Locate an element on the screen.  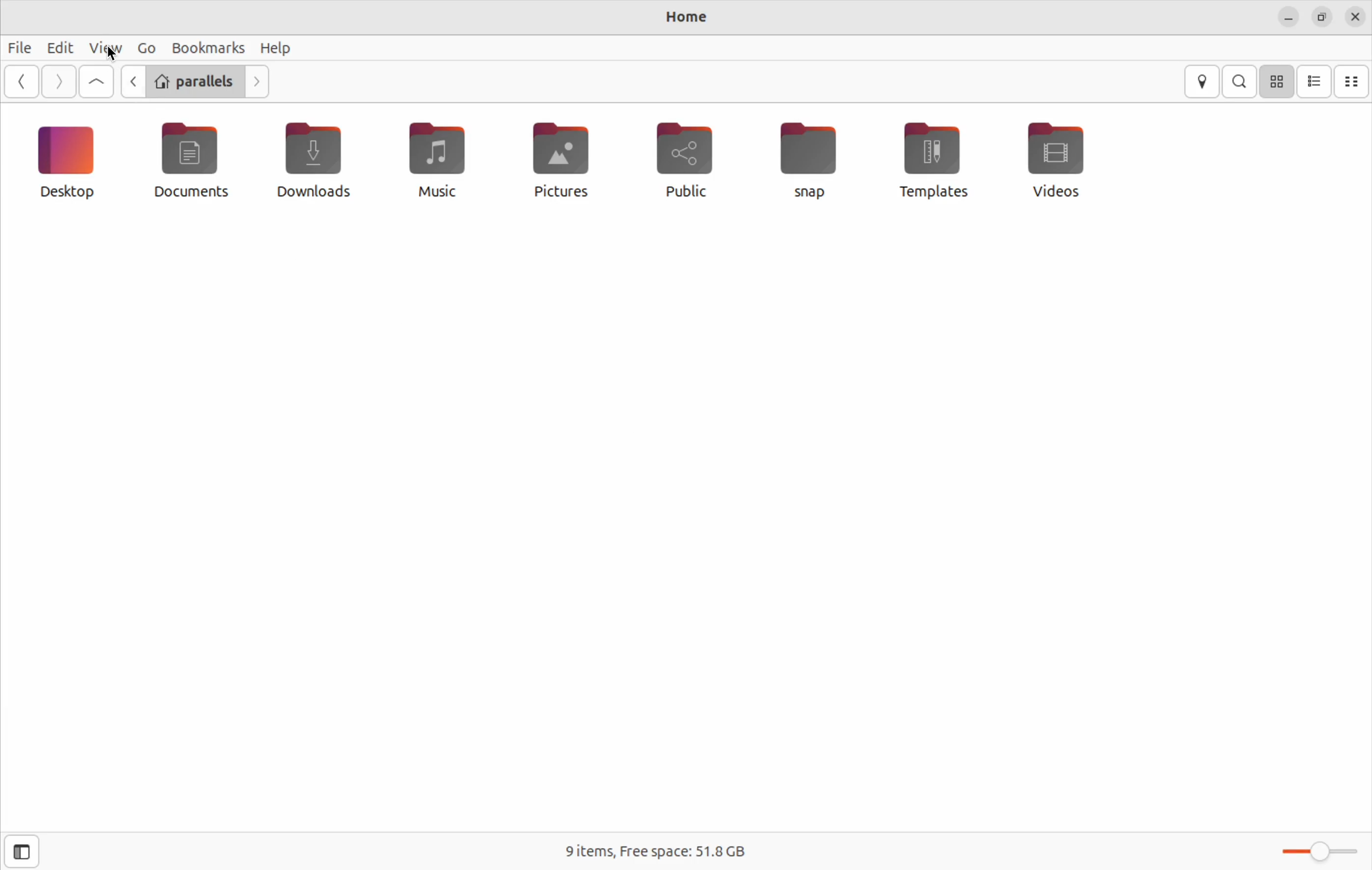
documents is located at coordinates (193, 162).